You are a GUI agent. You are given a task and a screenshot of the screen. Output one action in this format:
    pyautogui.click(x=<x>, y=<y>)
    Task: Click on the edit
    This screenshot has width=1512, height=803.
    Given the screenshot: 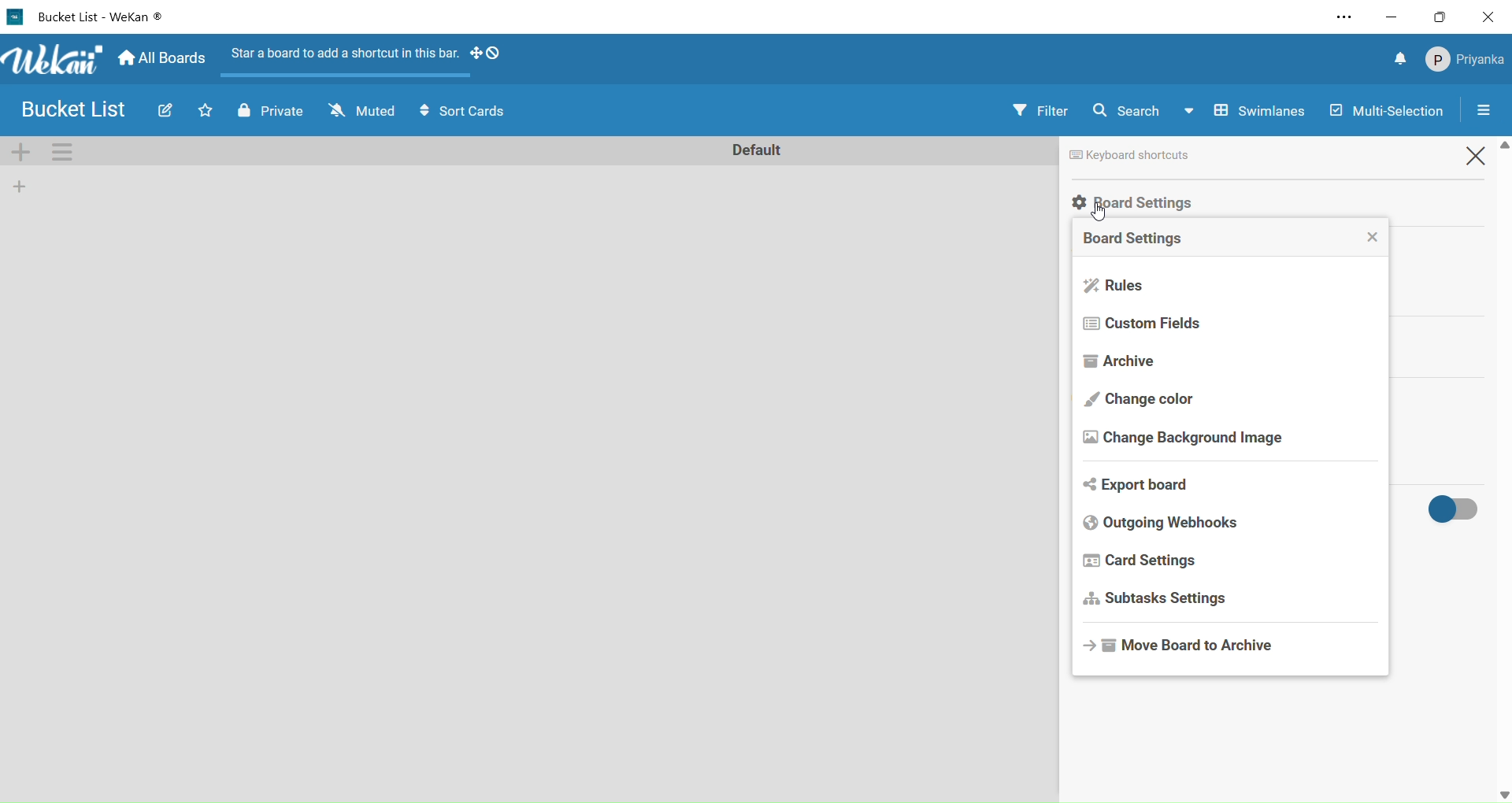 What is the action you would take?
    pyautogui.click(x=165, y=110)
    